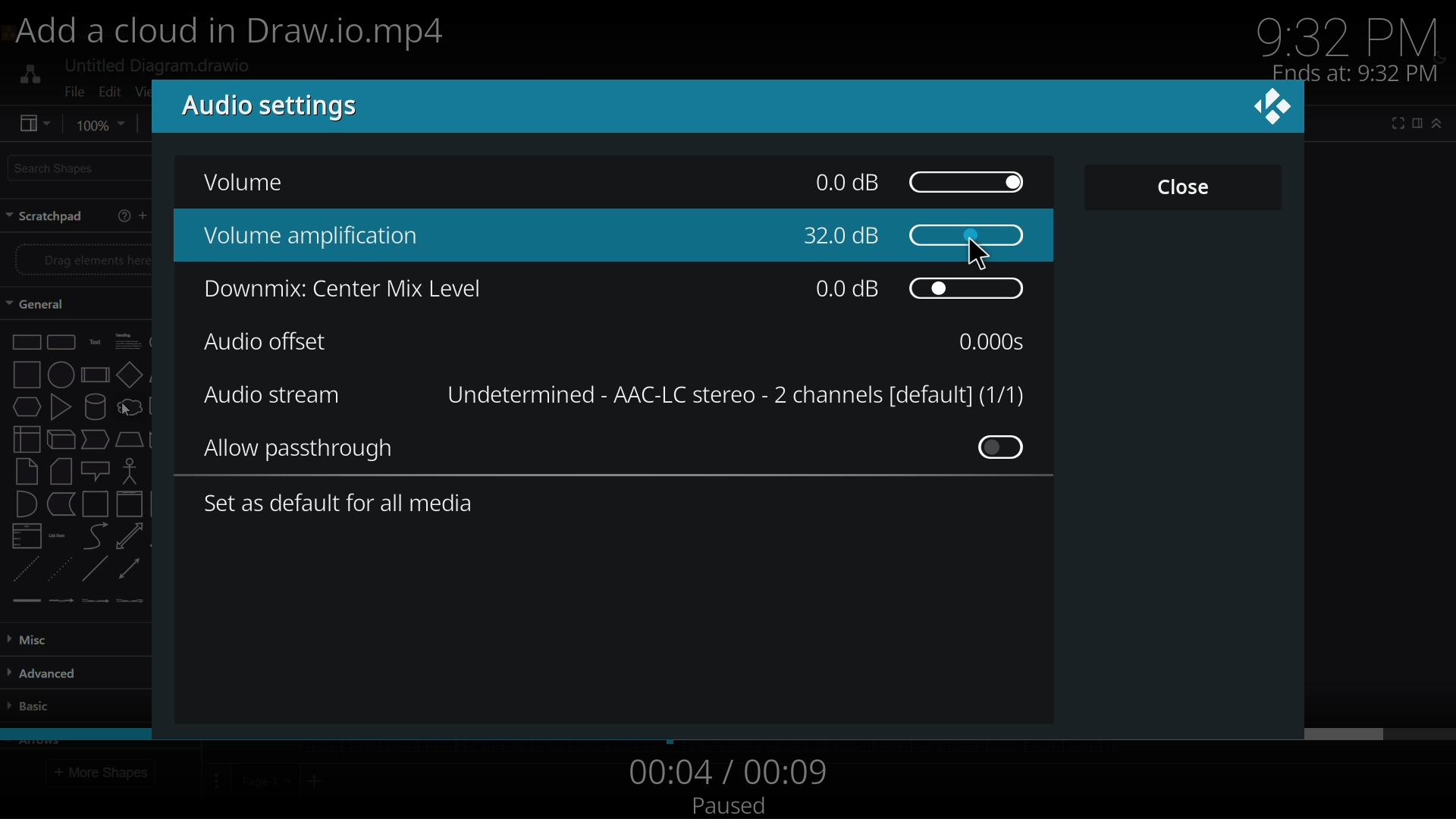 Image resolution: width=1456 pixels, height=819 pixels. I want to click on set as default for all media, so click(343, 507).